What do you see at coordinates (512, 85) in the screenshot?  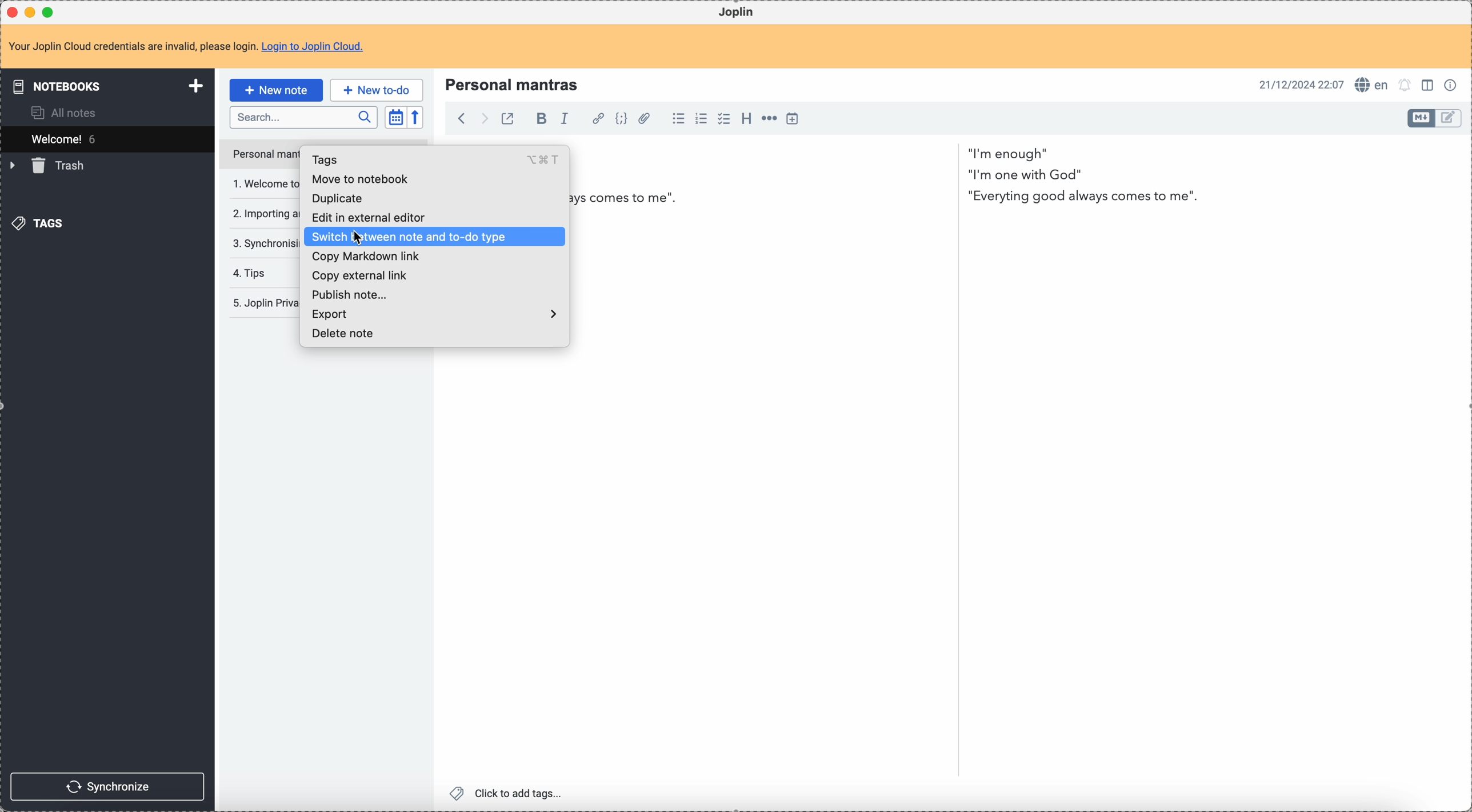 I see `Personal mantras` at bounding box center [512, 85].